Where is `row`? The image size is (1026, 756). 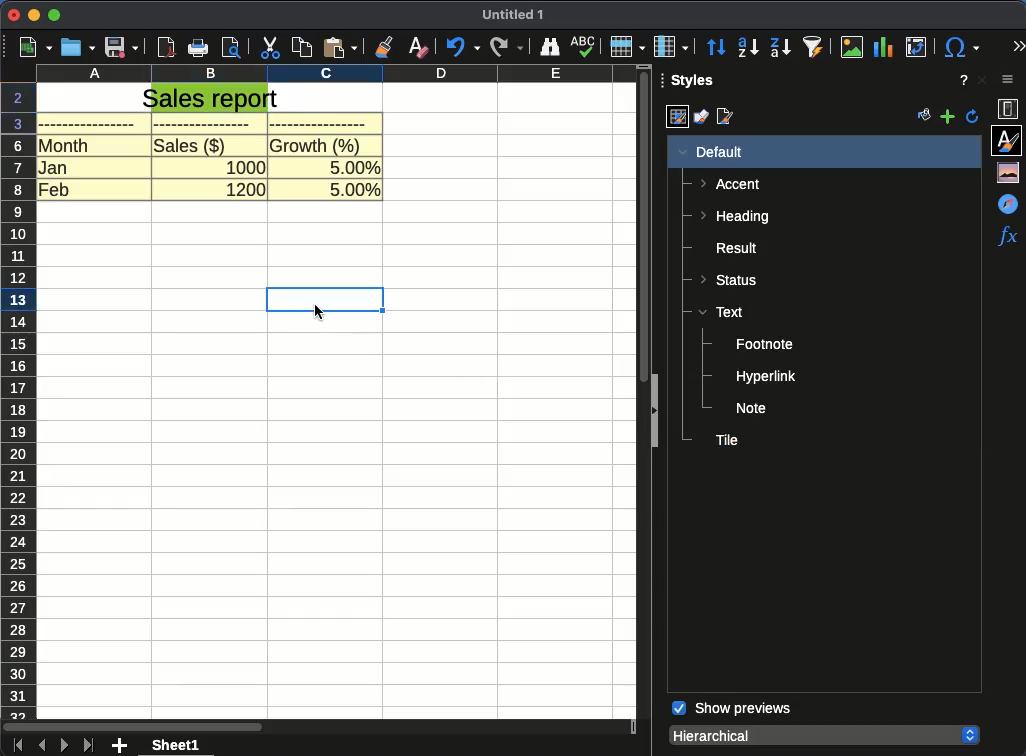
row is located at coordinates (627, 46).